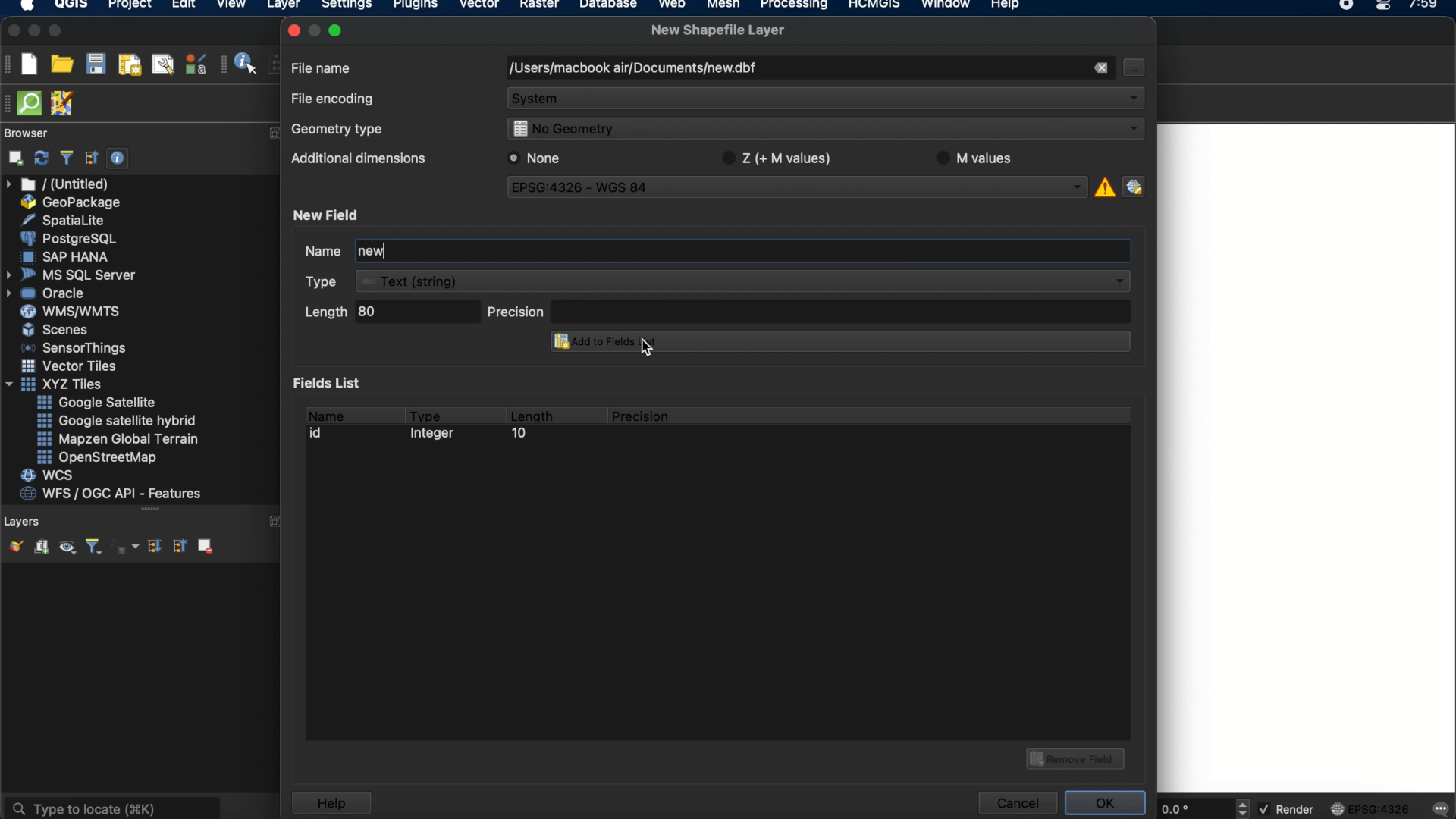 Image resolution: width=1456 pixels, height=819 pixels. Describe the element at coordinates (56, 32) in the screenshot. I see `maximize` at that location.